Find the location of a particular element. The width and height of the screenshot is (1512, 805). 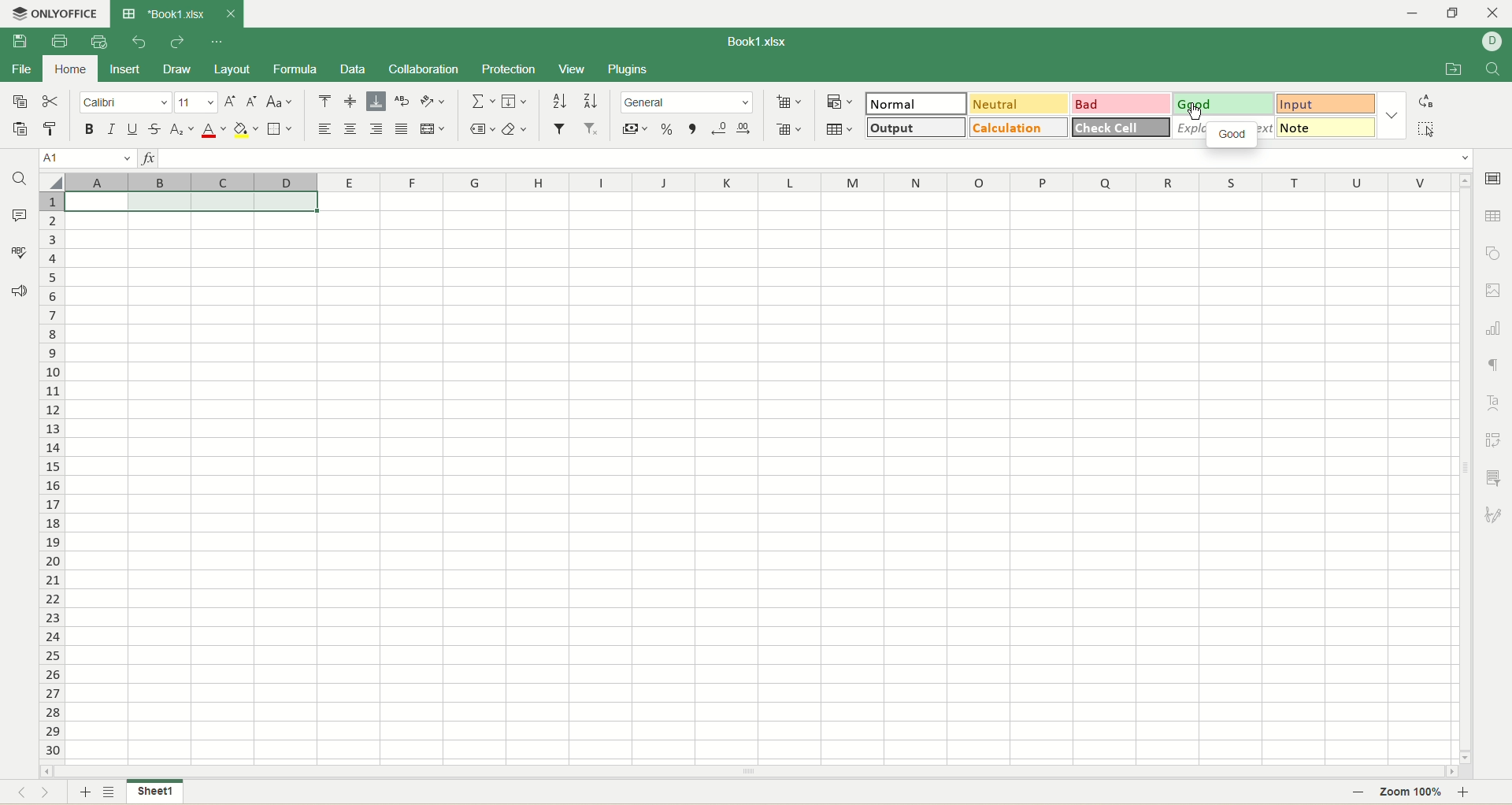

font color is located at coordinates (213, 131).